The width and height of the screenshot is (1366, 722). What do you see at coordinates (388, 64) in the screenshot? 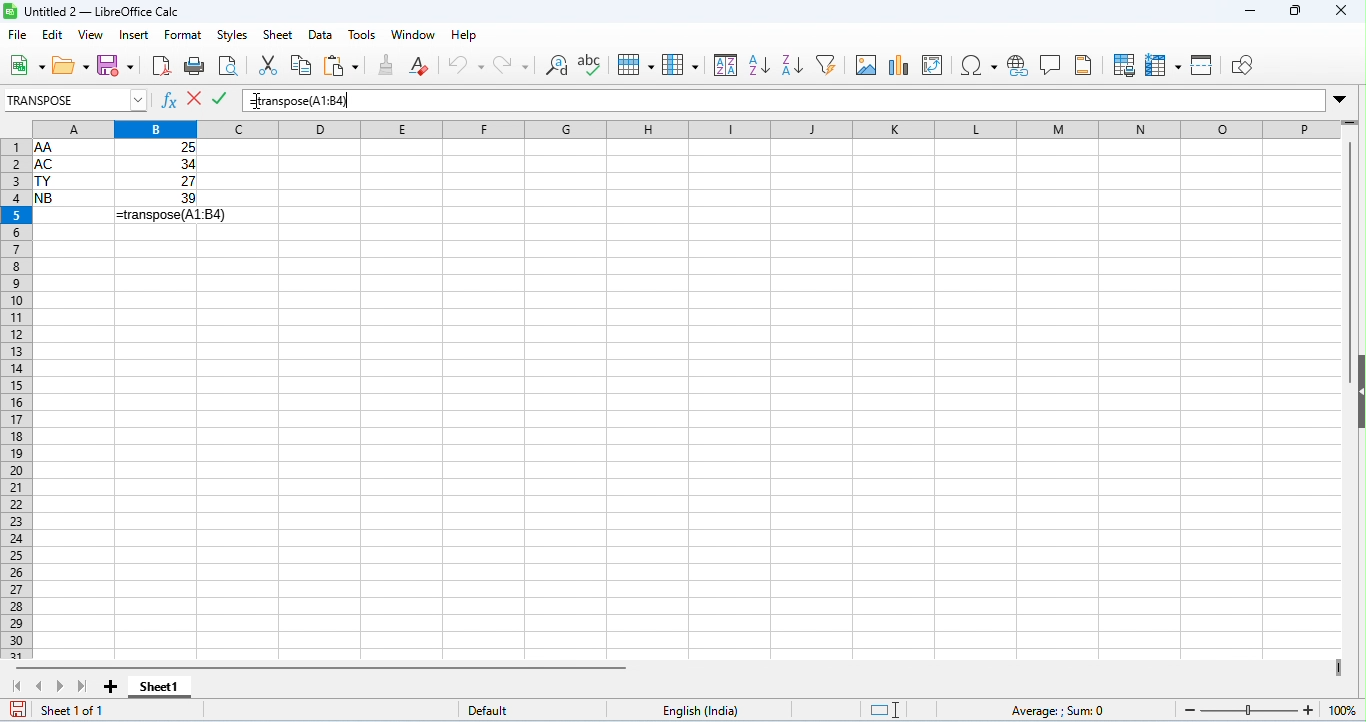
I see `clone` at bounding box center [388, 64].